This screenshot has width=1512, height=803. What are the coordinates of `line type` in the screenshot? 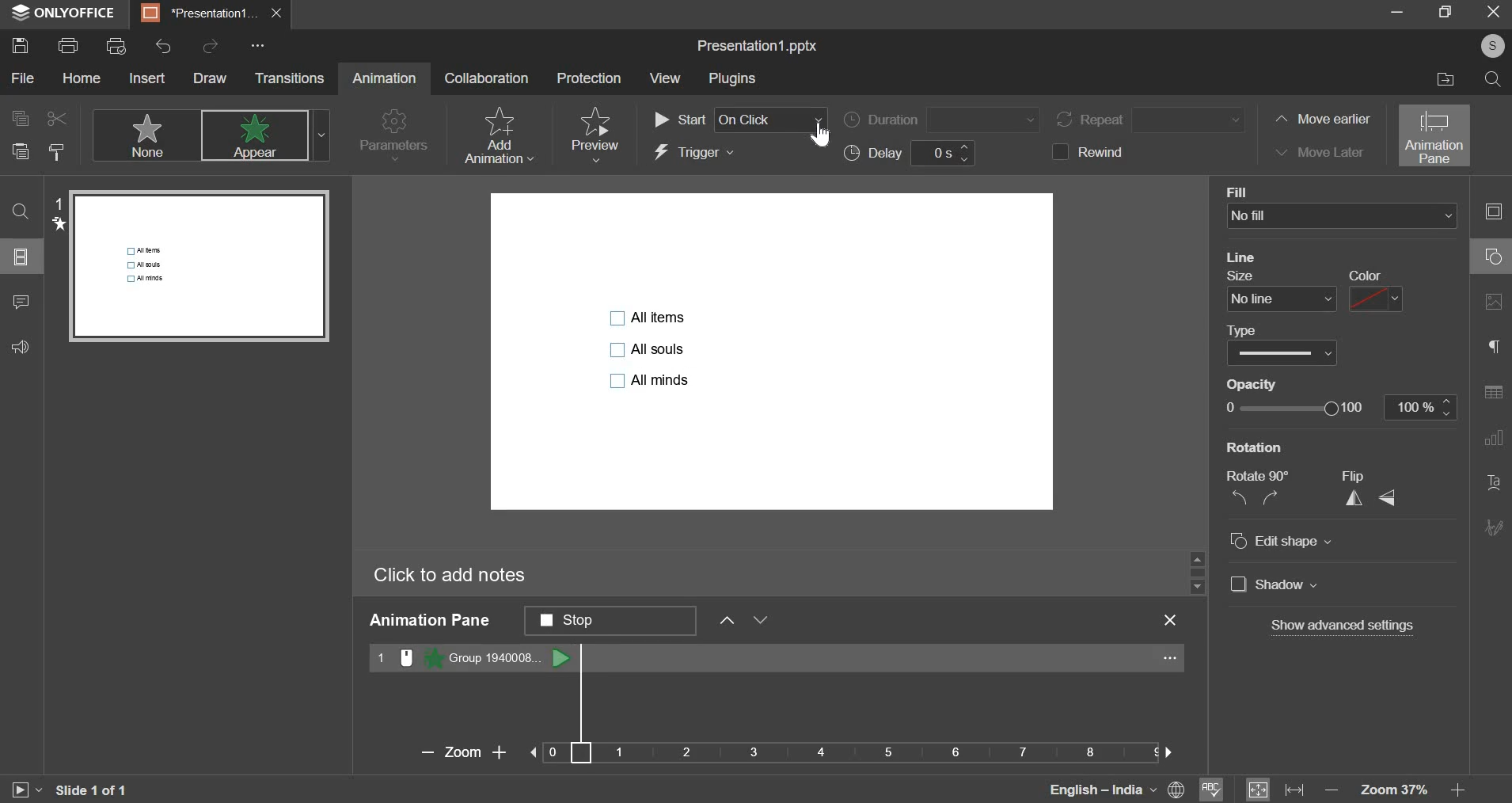 It's located at (1281, 353).